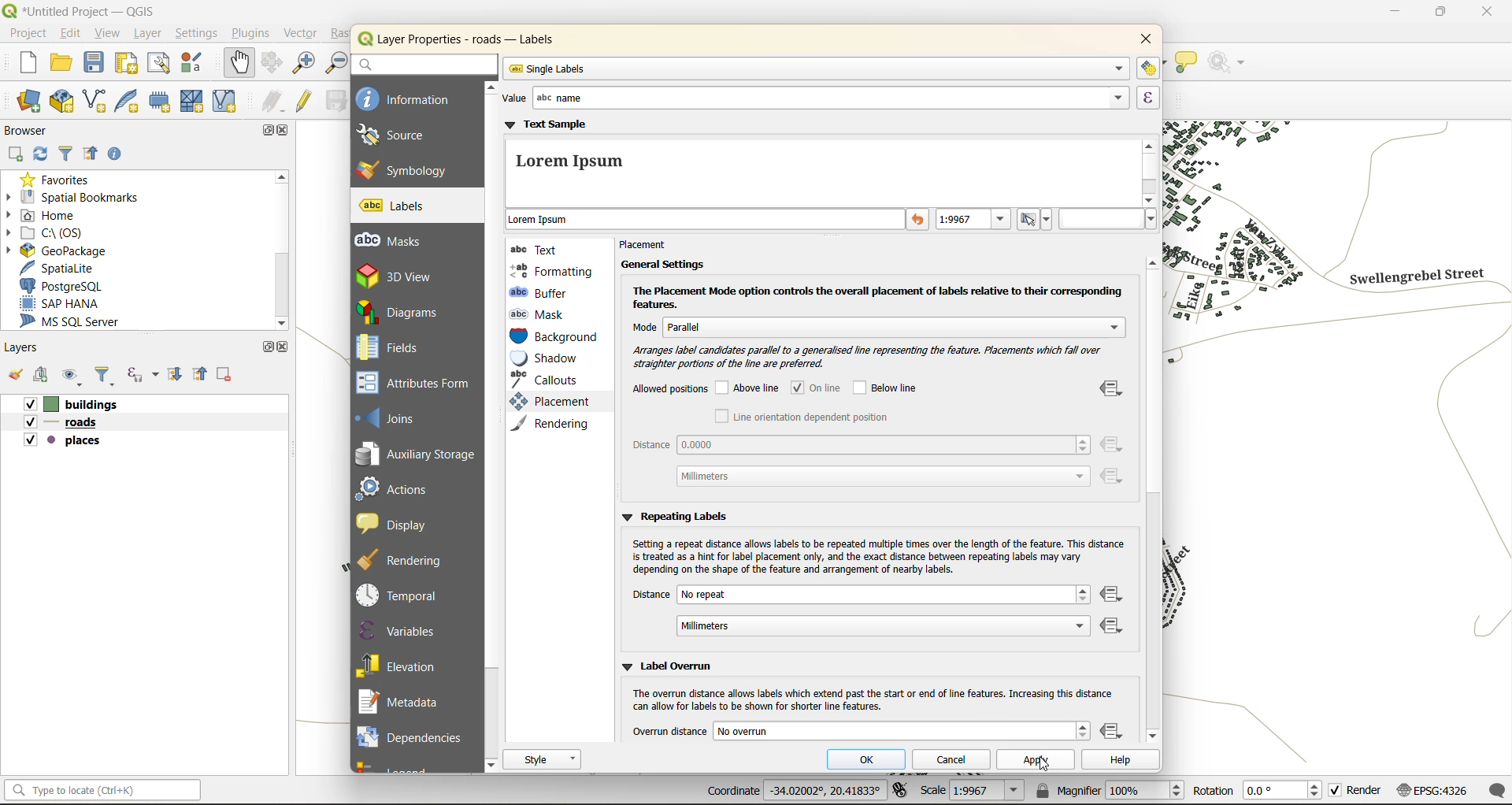 This screenshot has height=805, width=1512. What do you see at coordinates (649, 246) in the screenshot?
I see `placement` at bounding box center [649, 246].